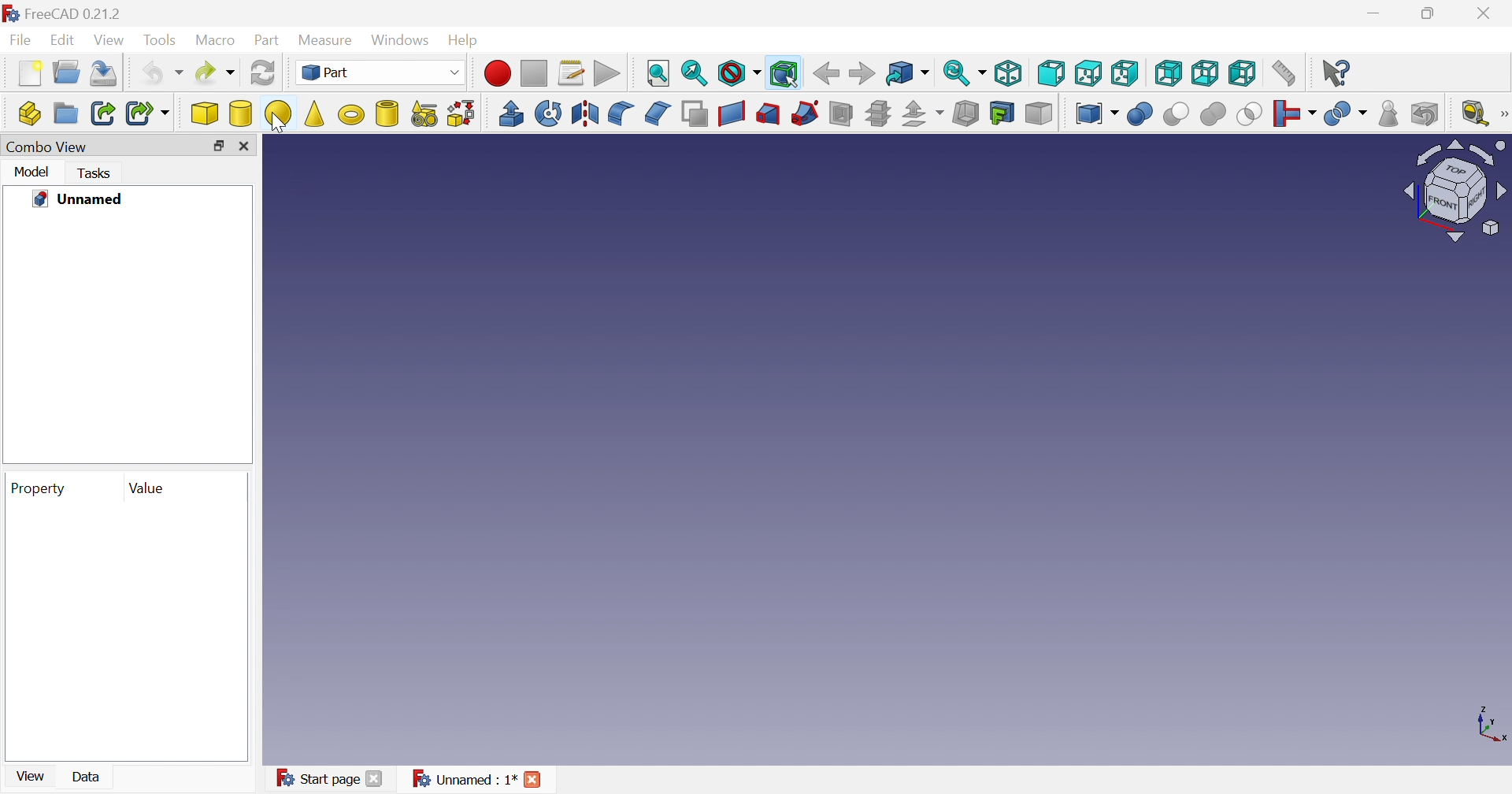 This screenshot has height=794, width=1512. Describe the element at coordinates (1503, 114) in the screenshot. I see `[Measure]` at that location.